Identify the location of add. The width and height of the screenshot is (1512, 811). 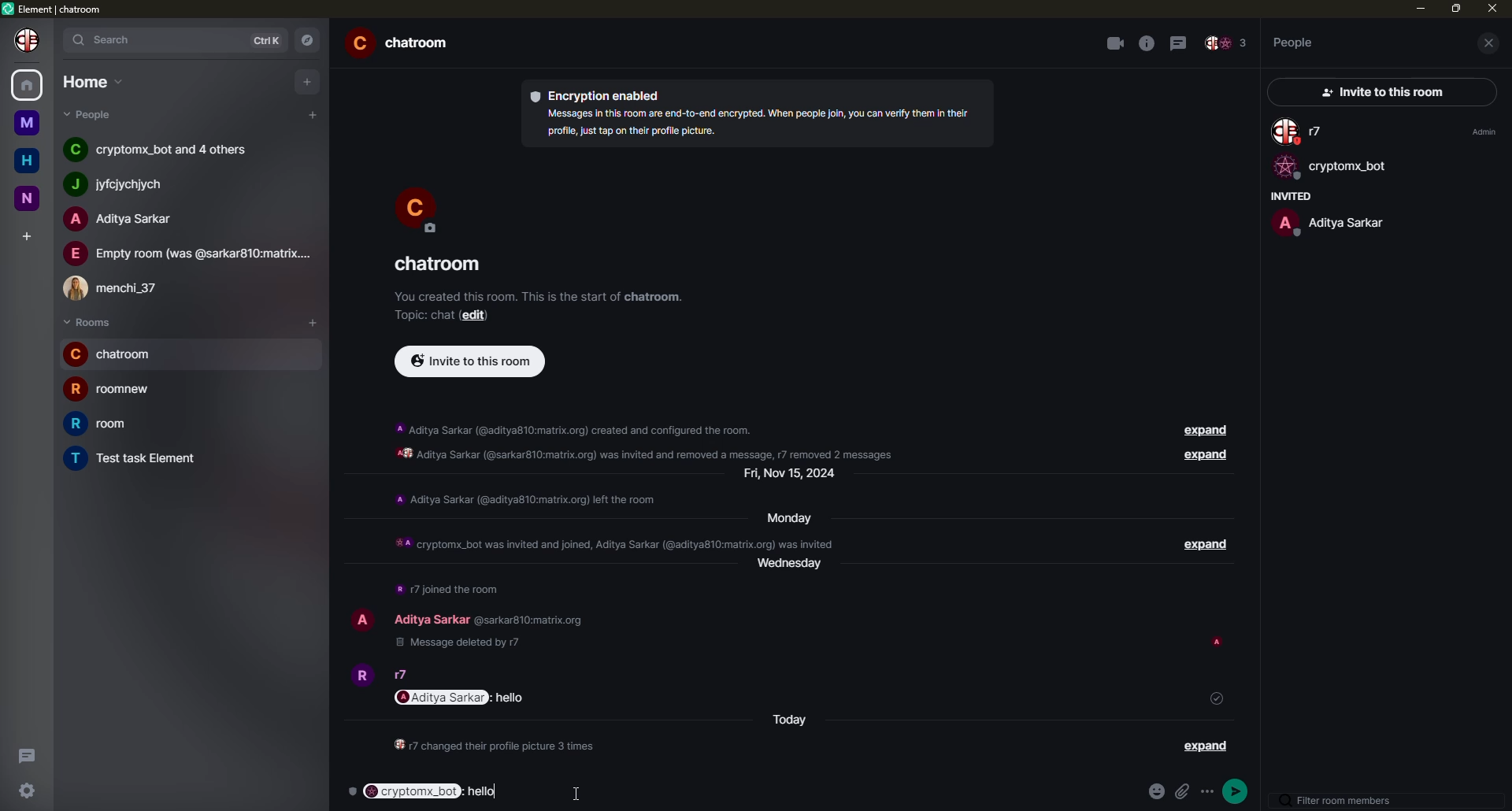
(317, 321).